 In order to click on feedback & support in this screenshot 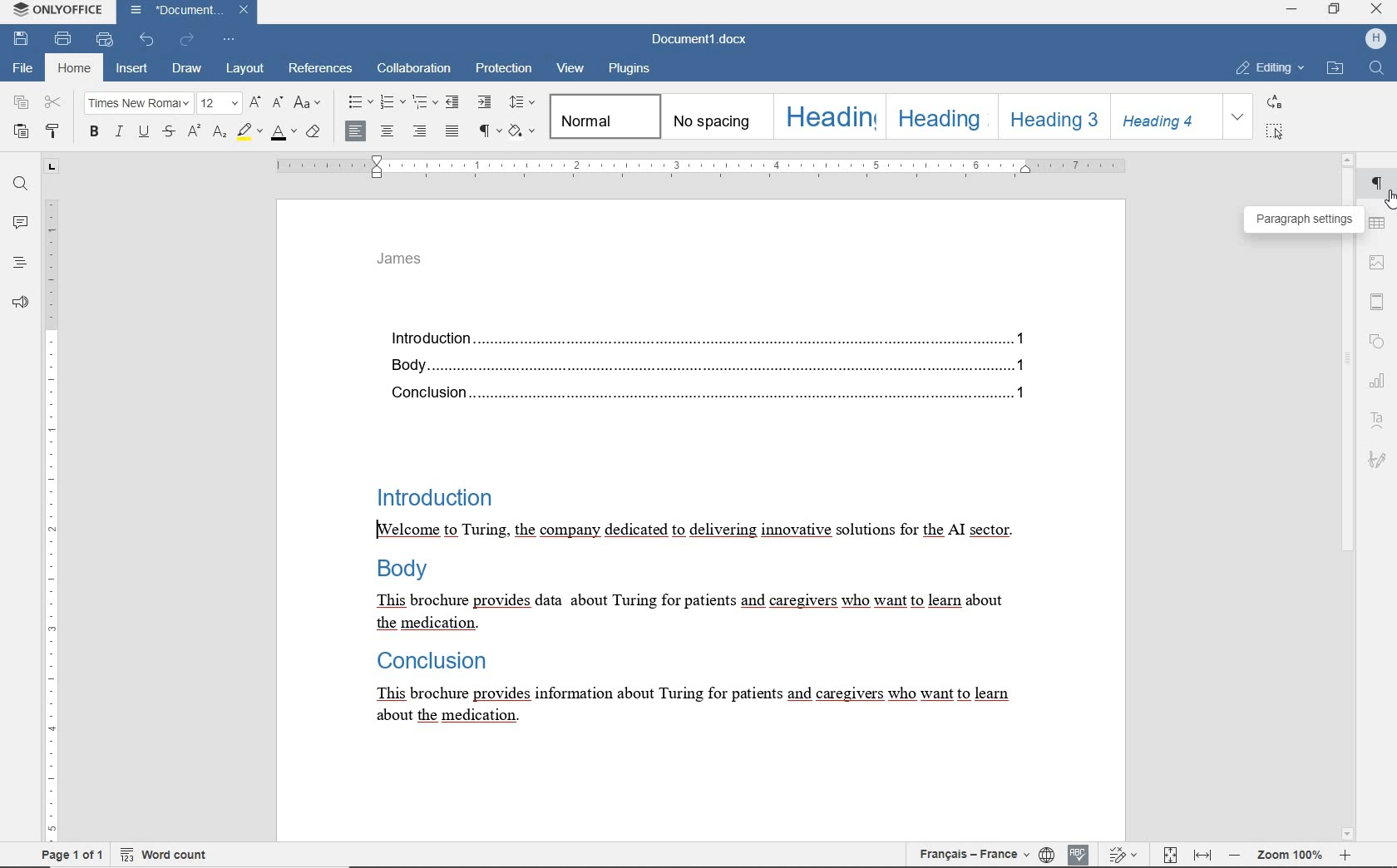, I will do `click(21, 303)`.